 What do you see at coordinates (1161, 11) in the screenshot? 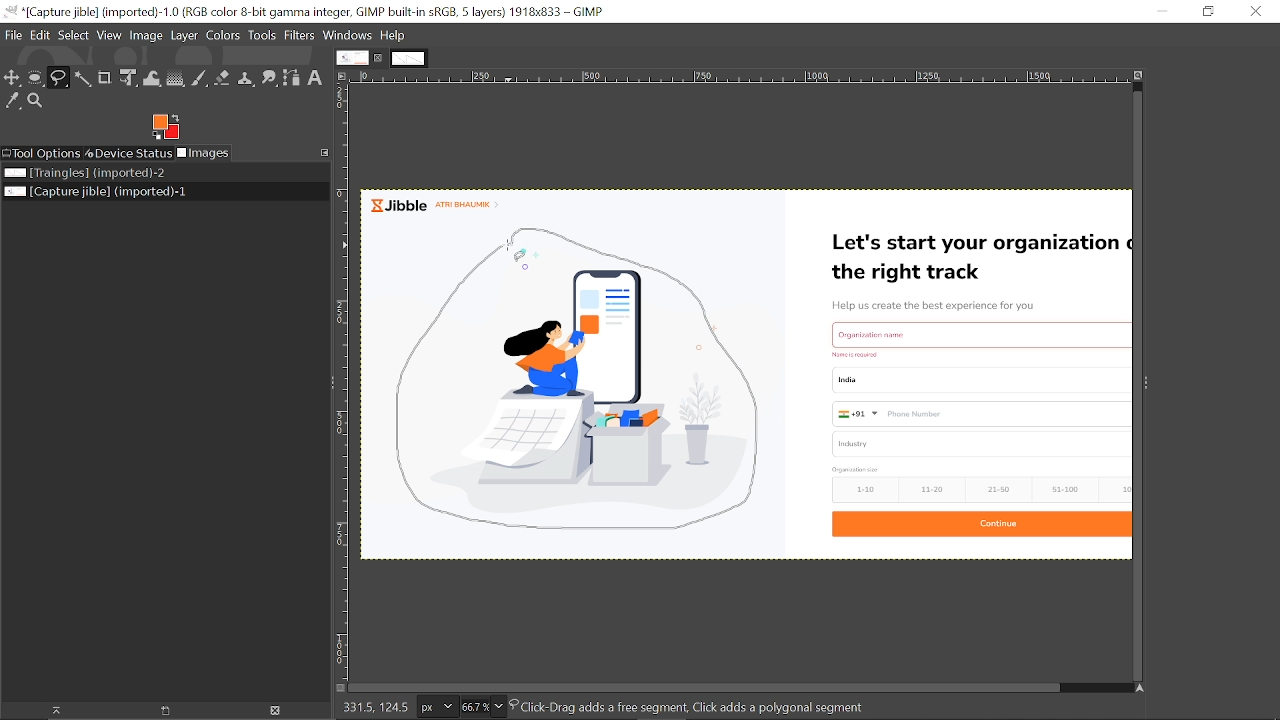
I see `Minimize` at bounding box center [1161, 11].